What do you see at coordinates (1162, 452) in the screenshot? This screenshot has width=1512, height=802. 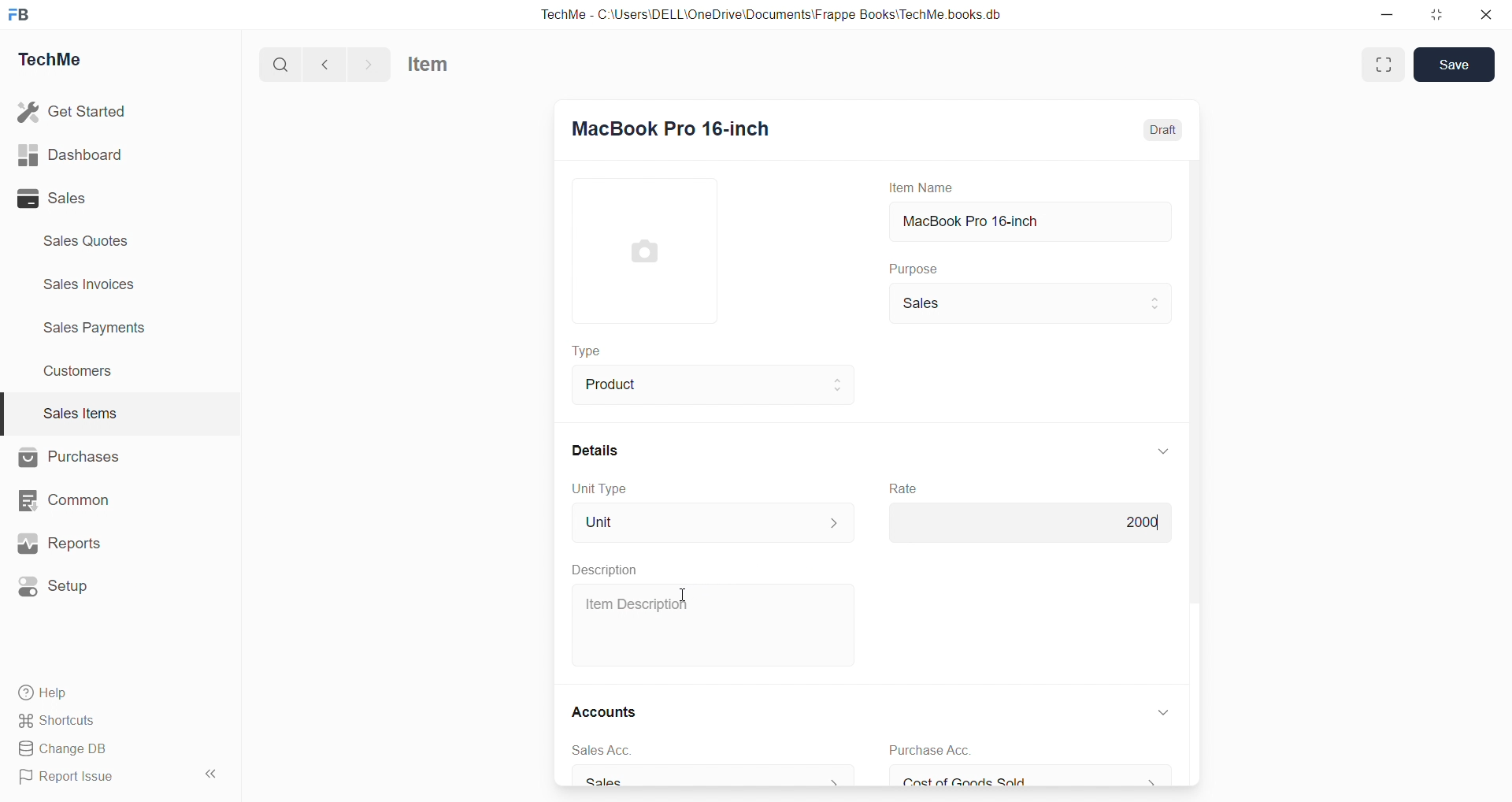 I see `down` at bounding box center [1162, 452].